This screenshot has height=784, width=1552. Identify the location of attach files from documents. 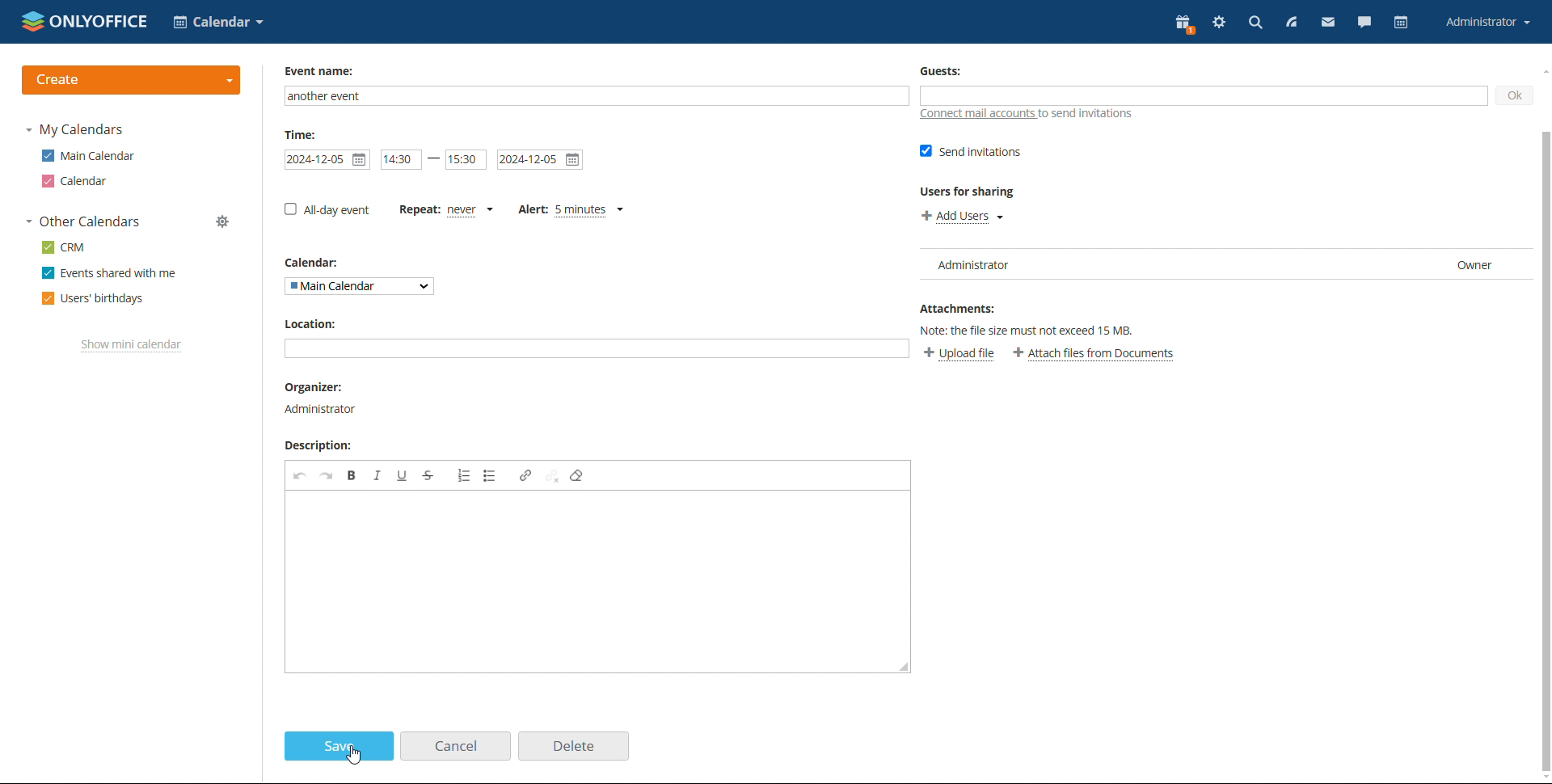
(1098, 352).